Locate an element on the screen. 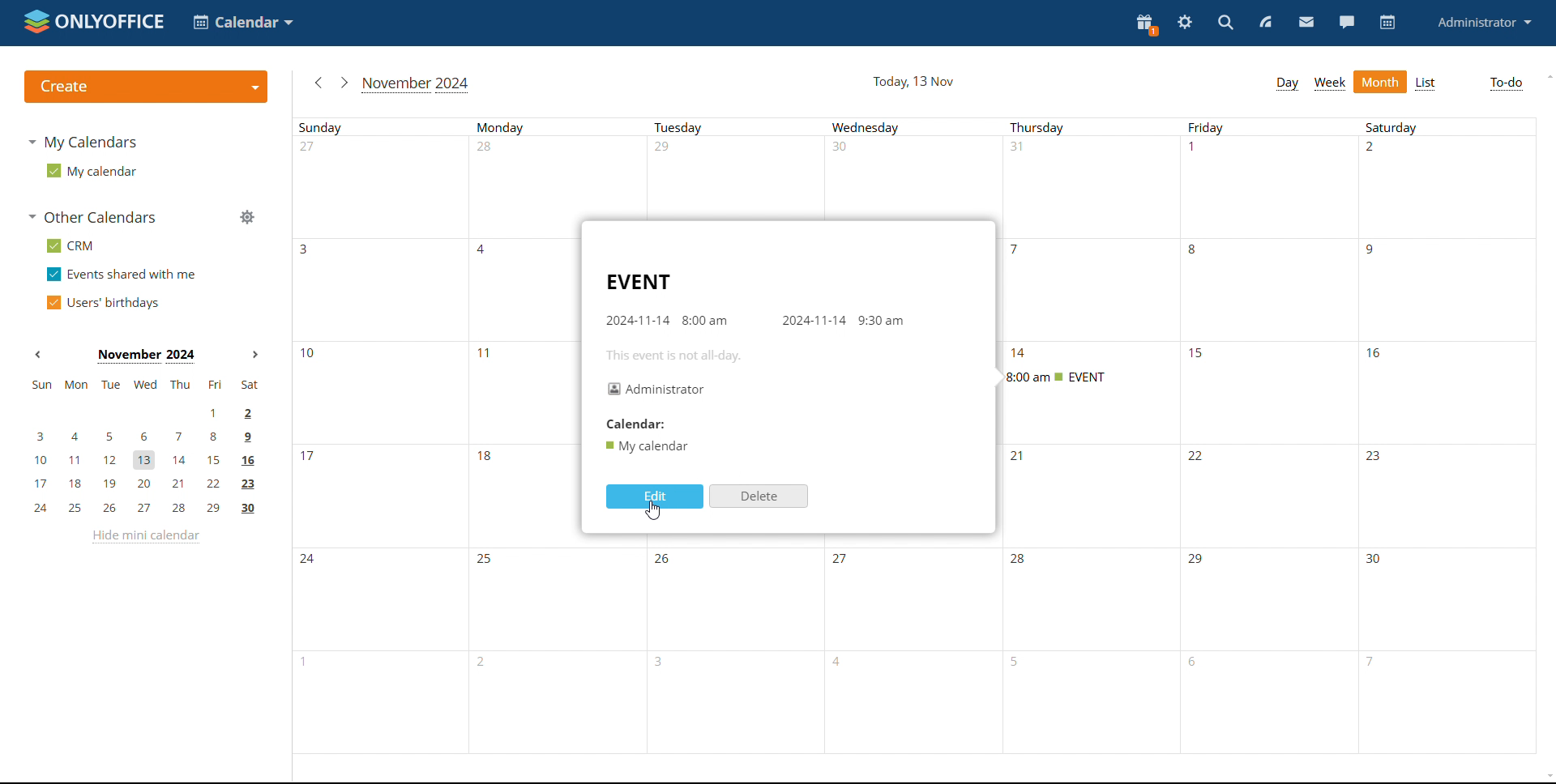 Image resolution: width=1556 pixels, height=784 pixels. next month is located at coordinates (255, 355).